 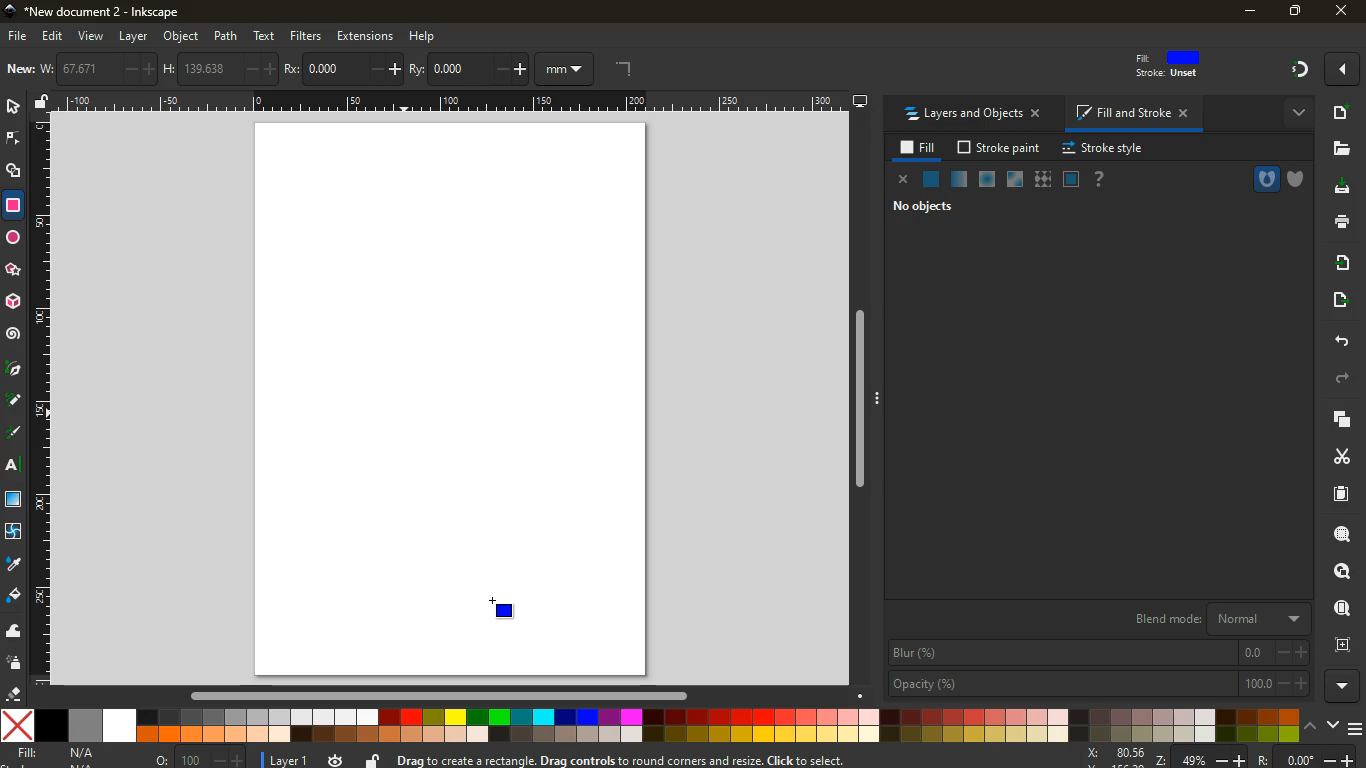 I want to click on back, so click(x=1340, y=338).